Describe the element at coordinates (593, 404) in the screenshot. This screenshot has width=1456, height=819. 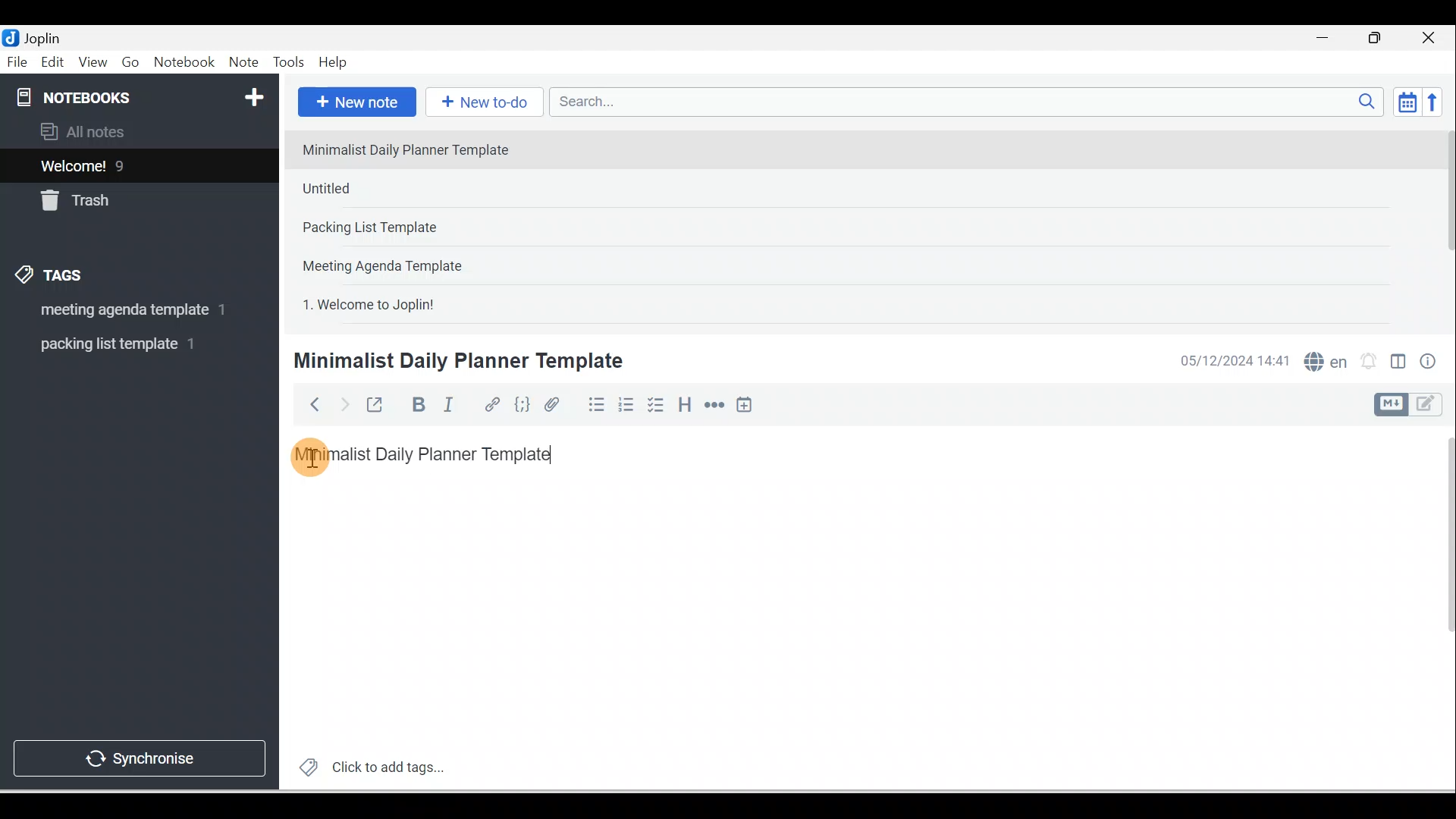
I see `Bulleted list` at that location.